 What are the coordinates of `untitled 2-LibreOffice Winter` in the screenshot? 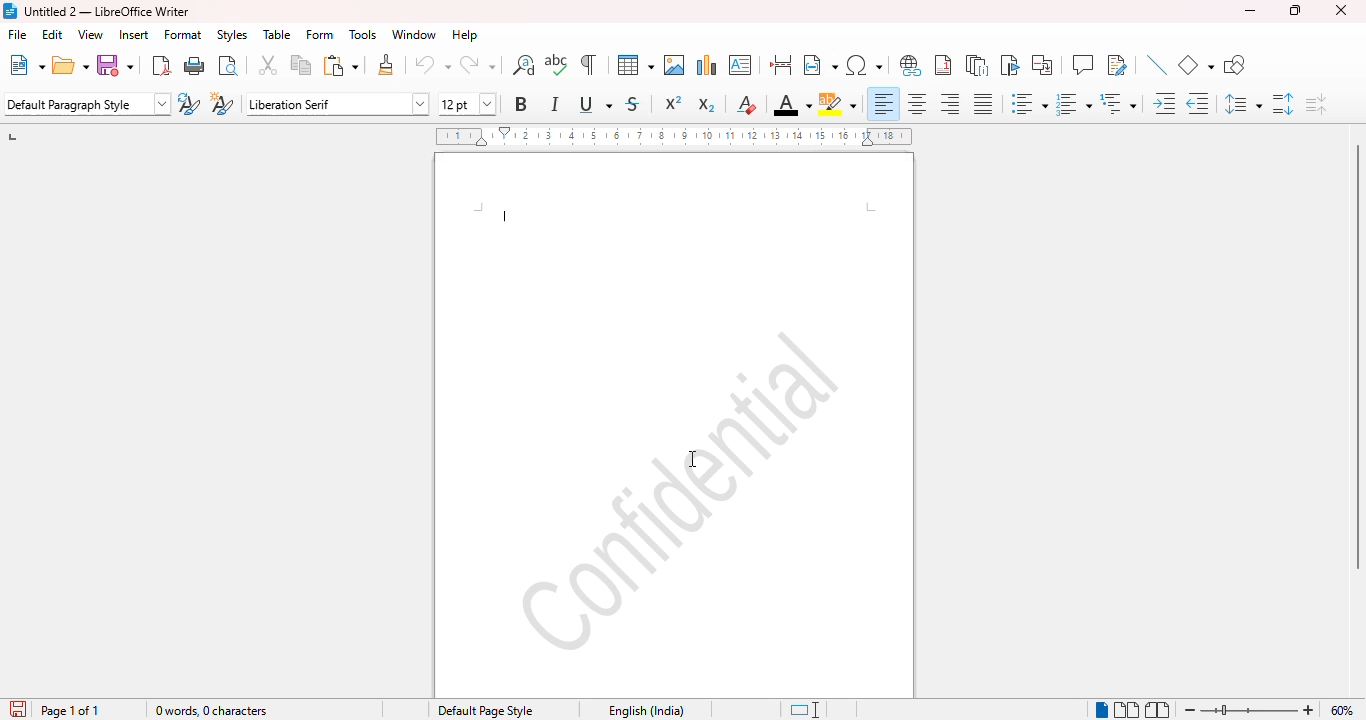 It's located at (107, 11).